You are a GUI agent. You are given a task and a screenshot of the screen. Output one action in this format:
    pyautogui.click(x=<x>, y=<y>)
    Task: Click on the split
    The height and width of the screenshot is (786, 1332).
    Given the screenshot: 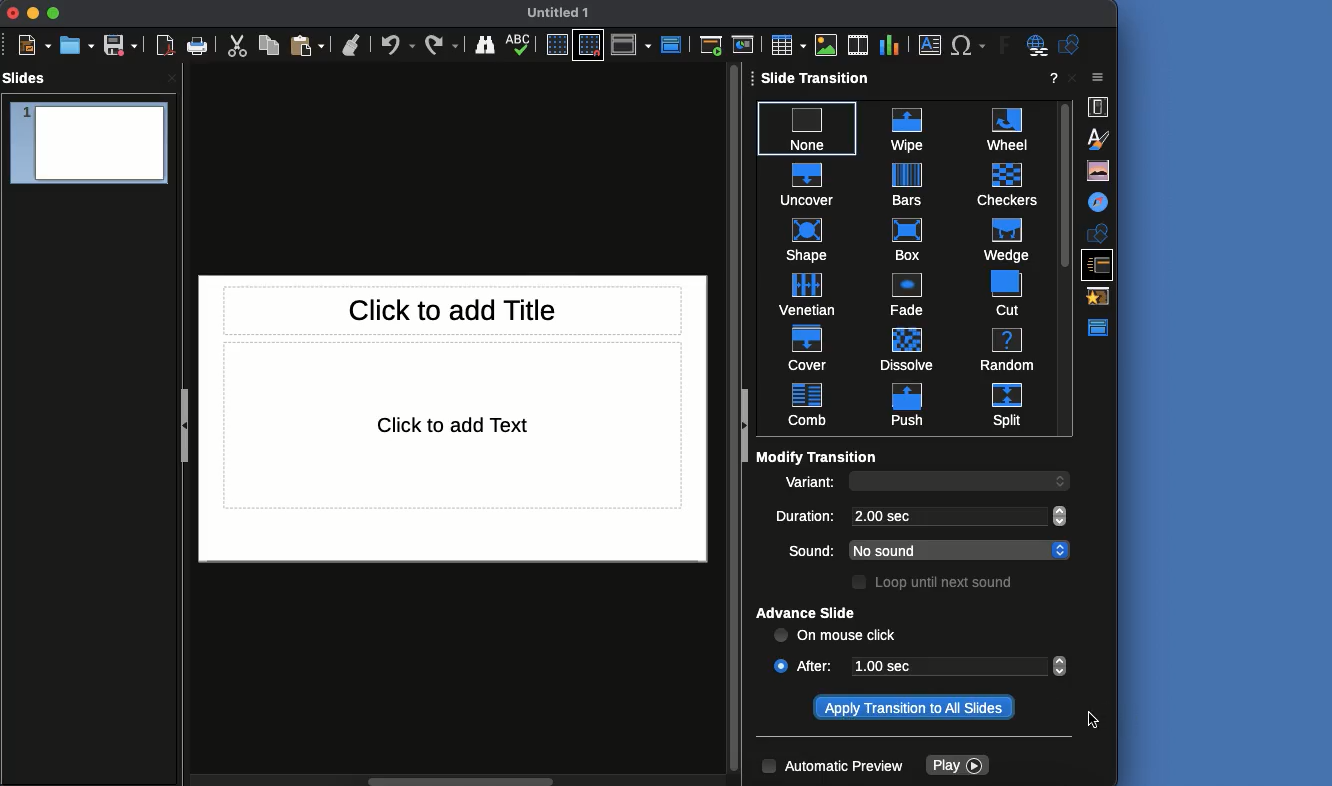 What is the action you would take?
    pyautogui.click(x=1007, y=404)
    